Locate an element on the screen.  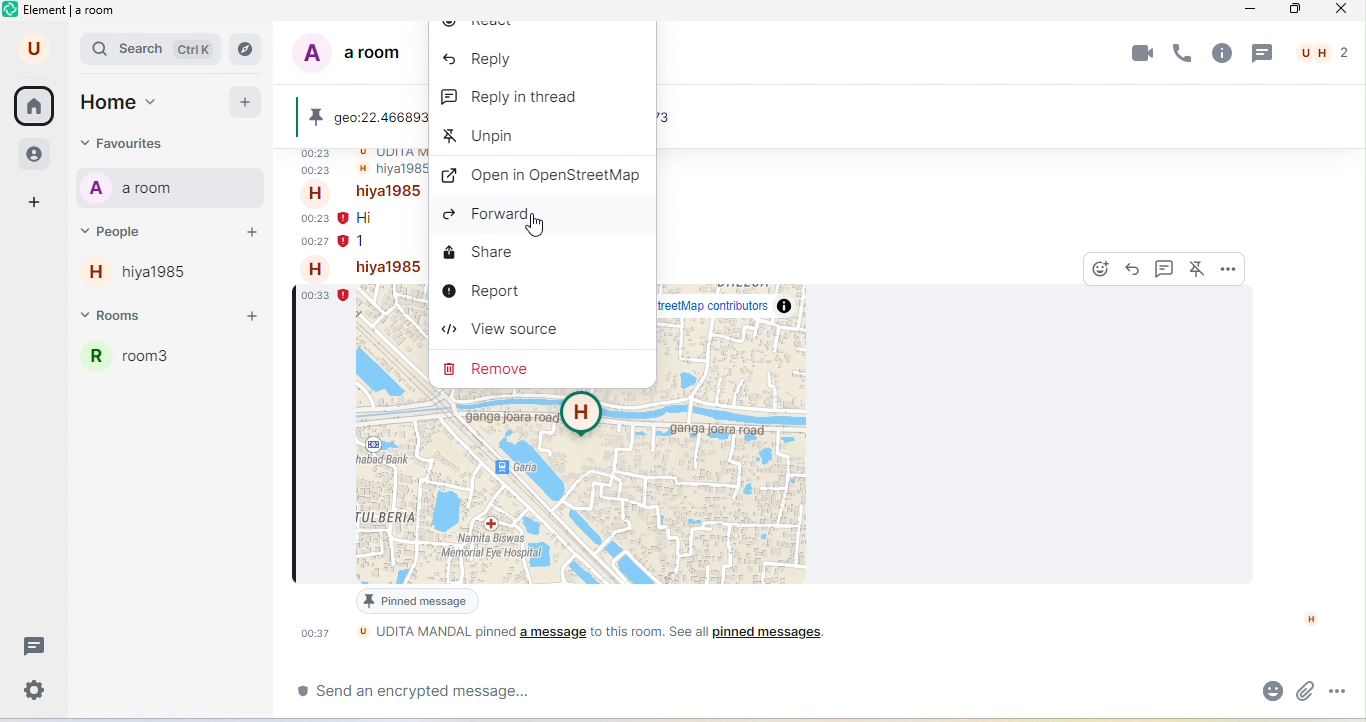
room info is located at coordinates (1222, 53).